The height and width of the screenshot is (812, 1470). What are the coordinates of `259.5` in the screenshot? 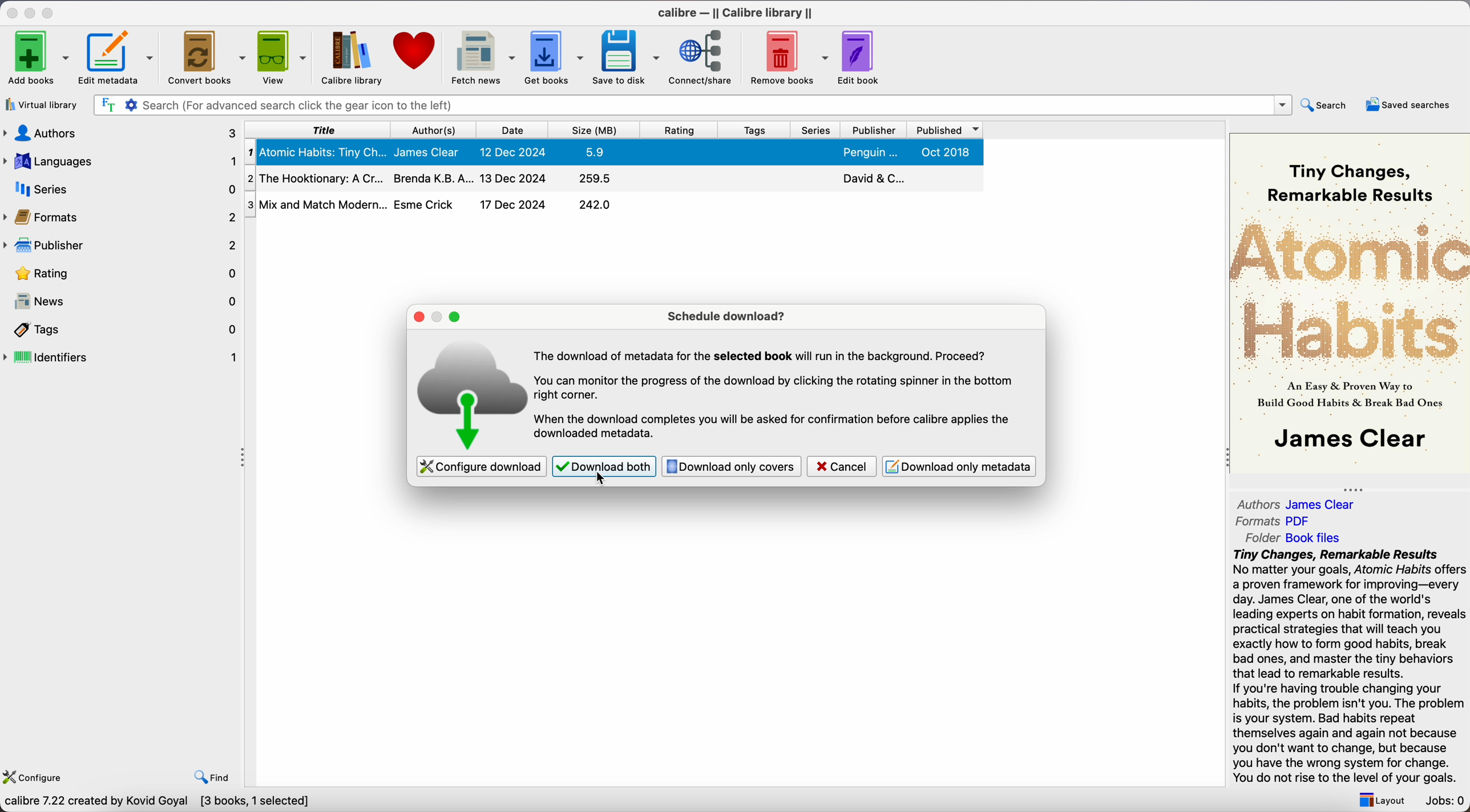 It's located at (597, 179).